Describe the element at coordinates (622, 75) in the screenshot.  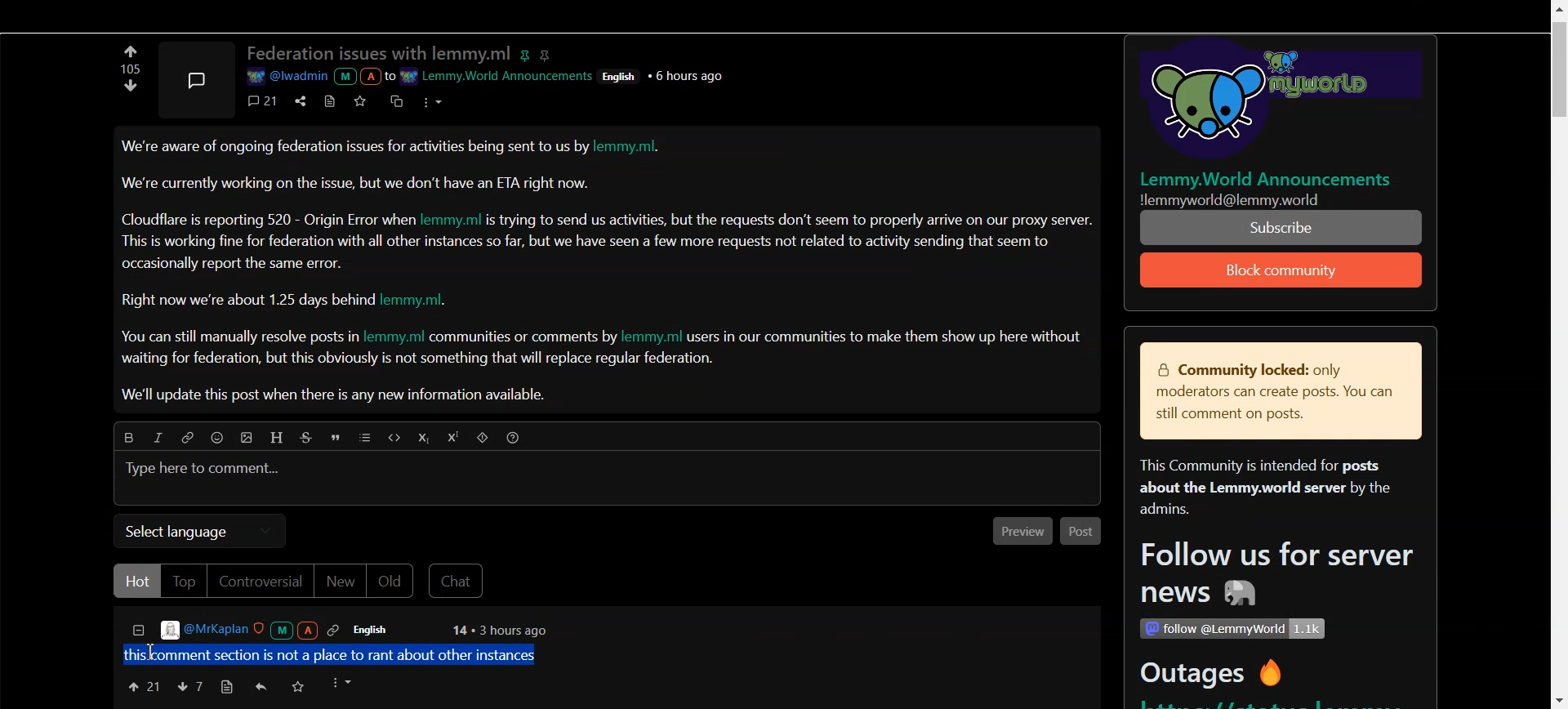
I see `` at that location.